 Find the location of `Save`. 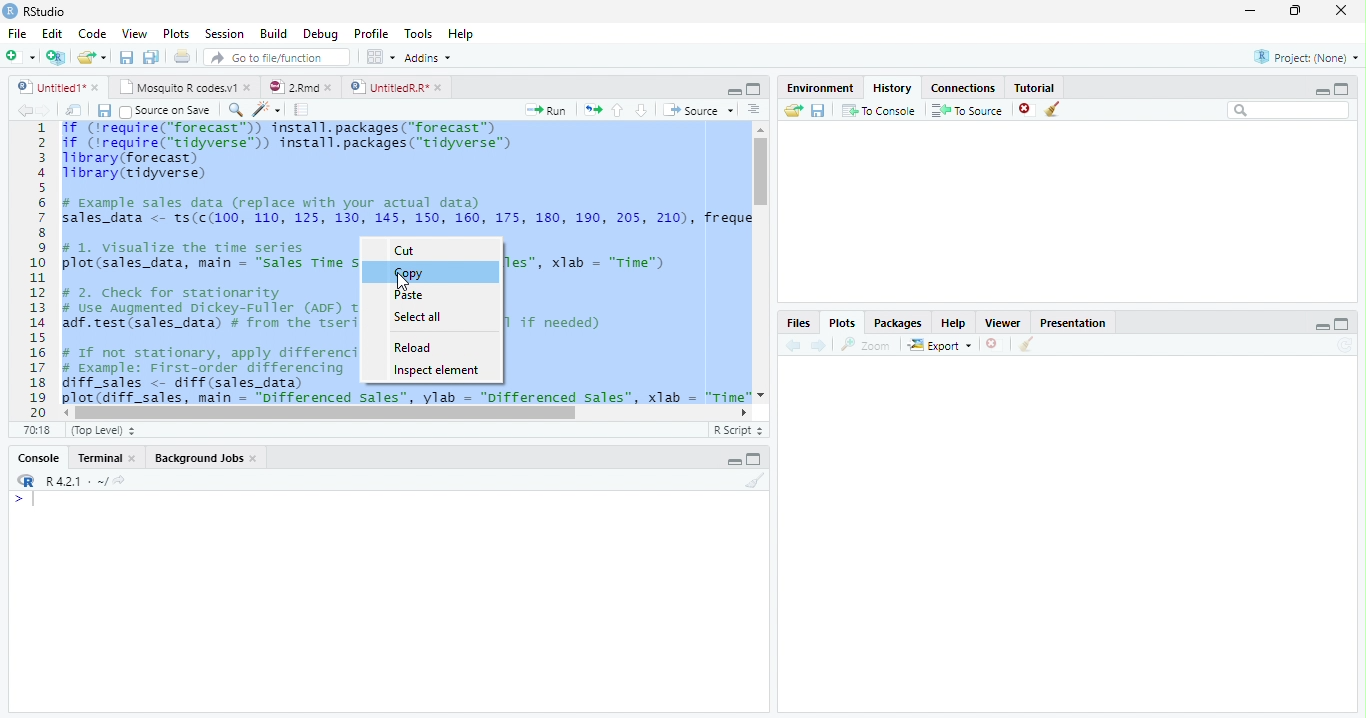

Save is located at coordinates (125, 56).